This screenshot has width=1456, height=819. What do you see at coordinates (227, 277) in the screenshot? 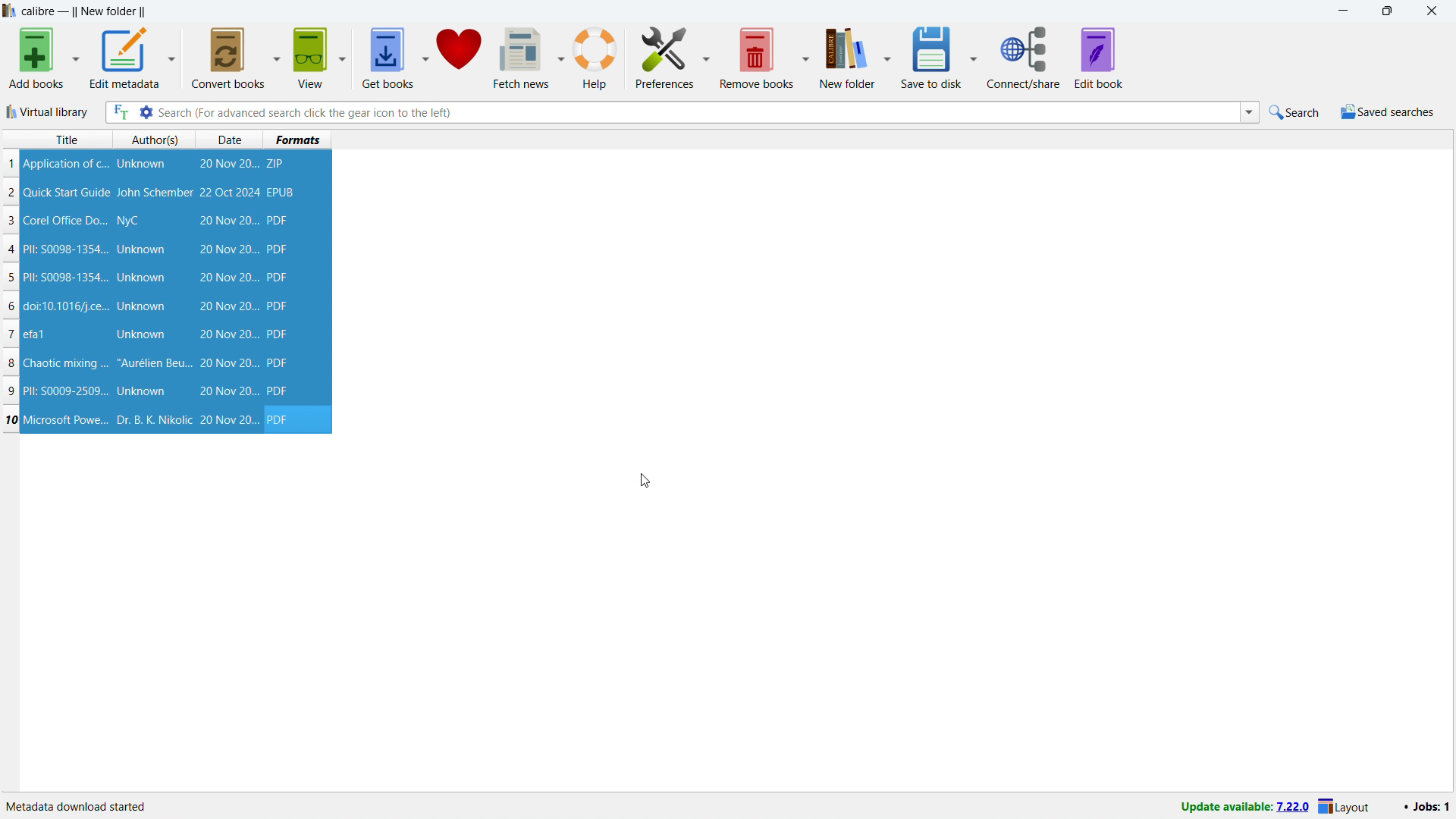
I see `20 Nov 20...` at bounding box center [227, 277].